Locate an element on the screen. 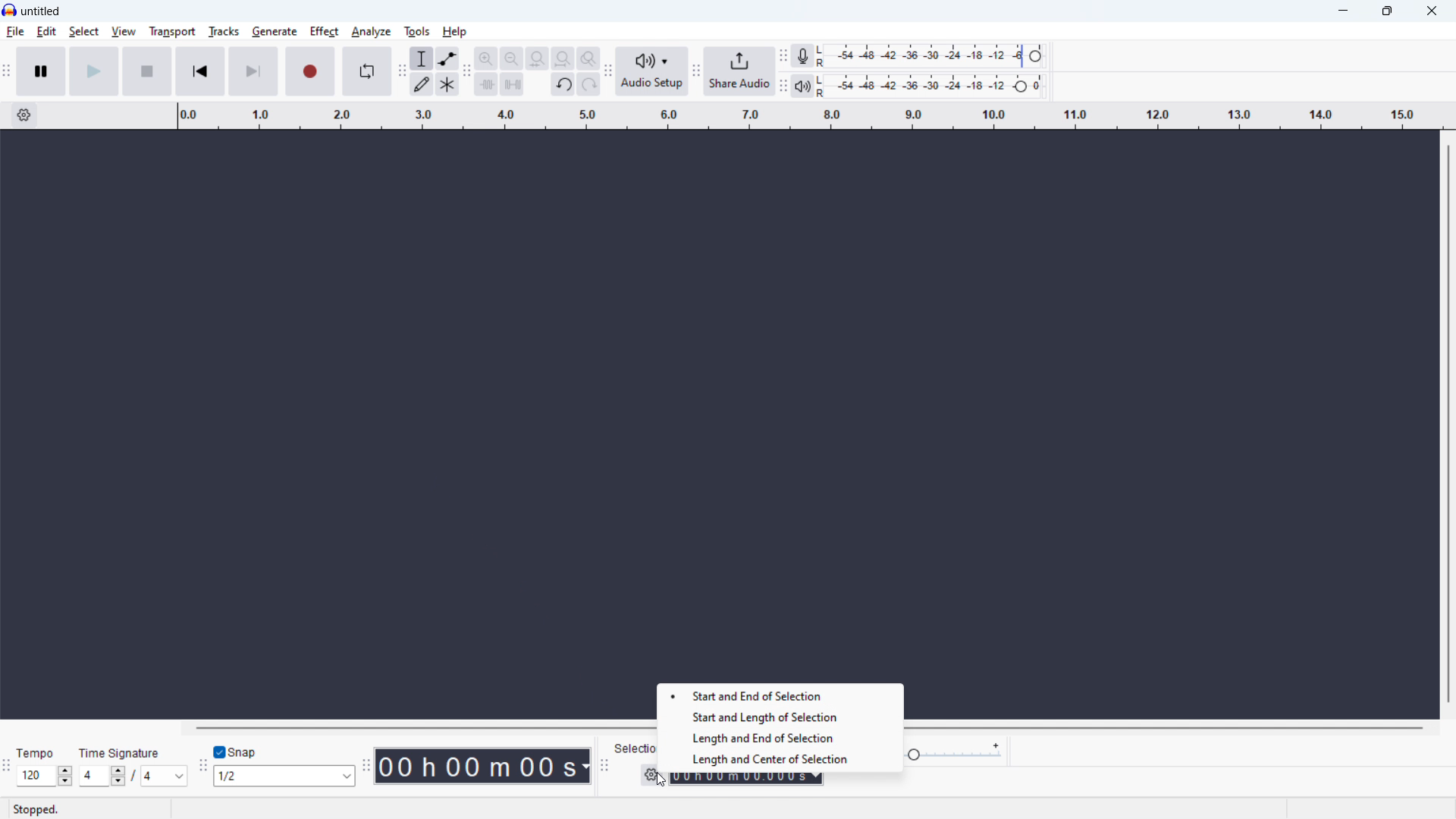 This screenshot has height=819, width=1456. time toolbar is located at coordinates (365, 767).